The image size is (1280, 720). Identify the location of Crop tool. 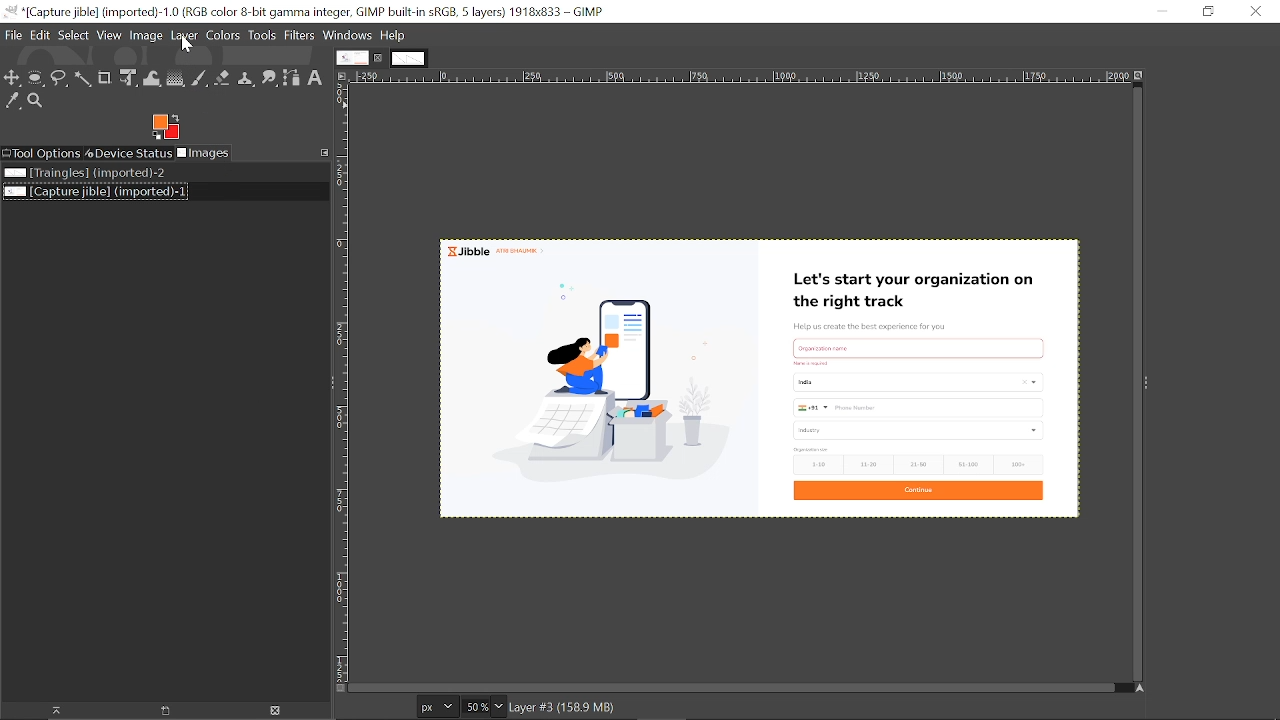
(106, 78).